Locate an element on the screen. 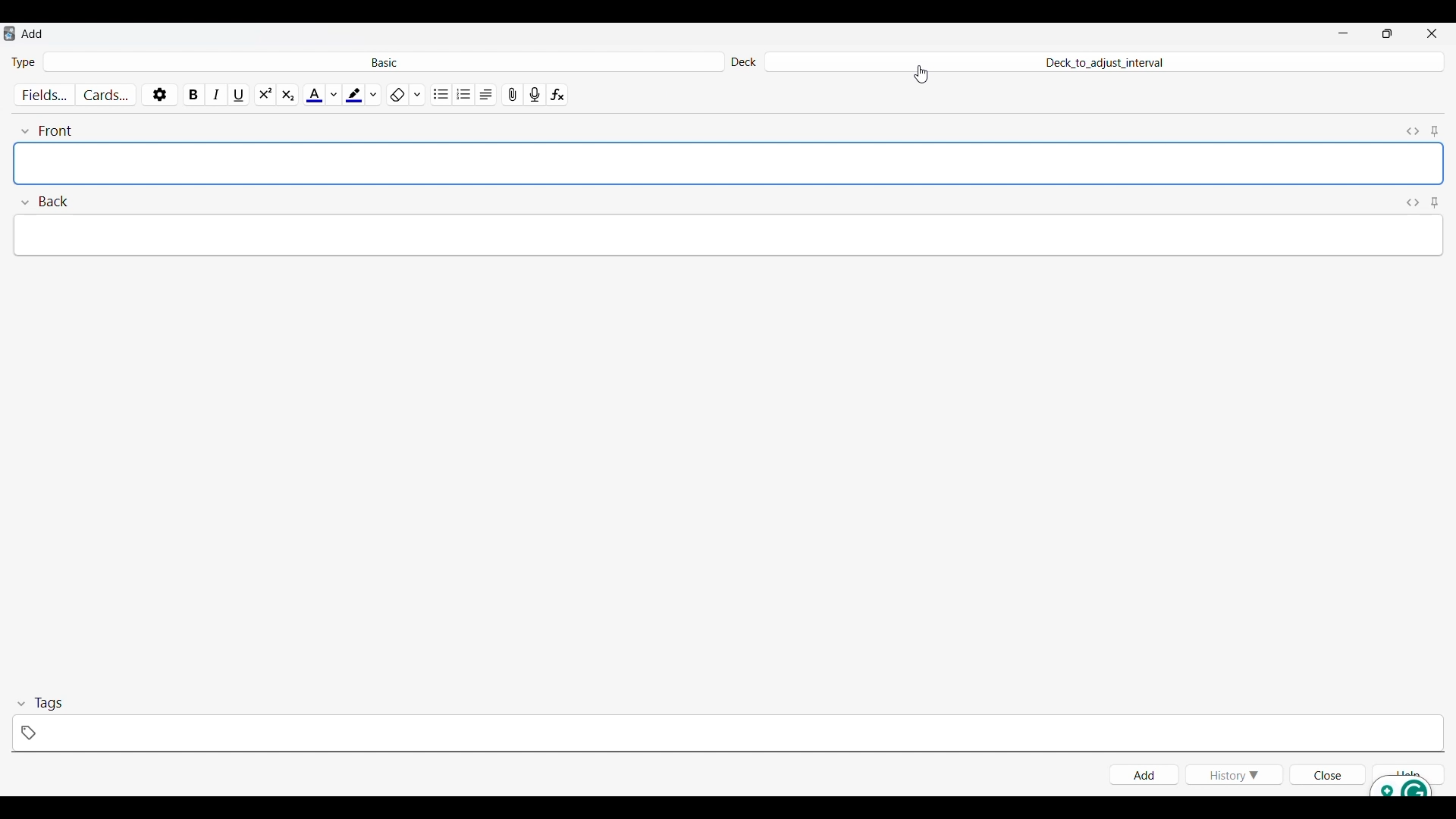  Close interface is located at coordinates (1432, 33).